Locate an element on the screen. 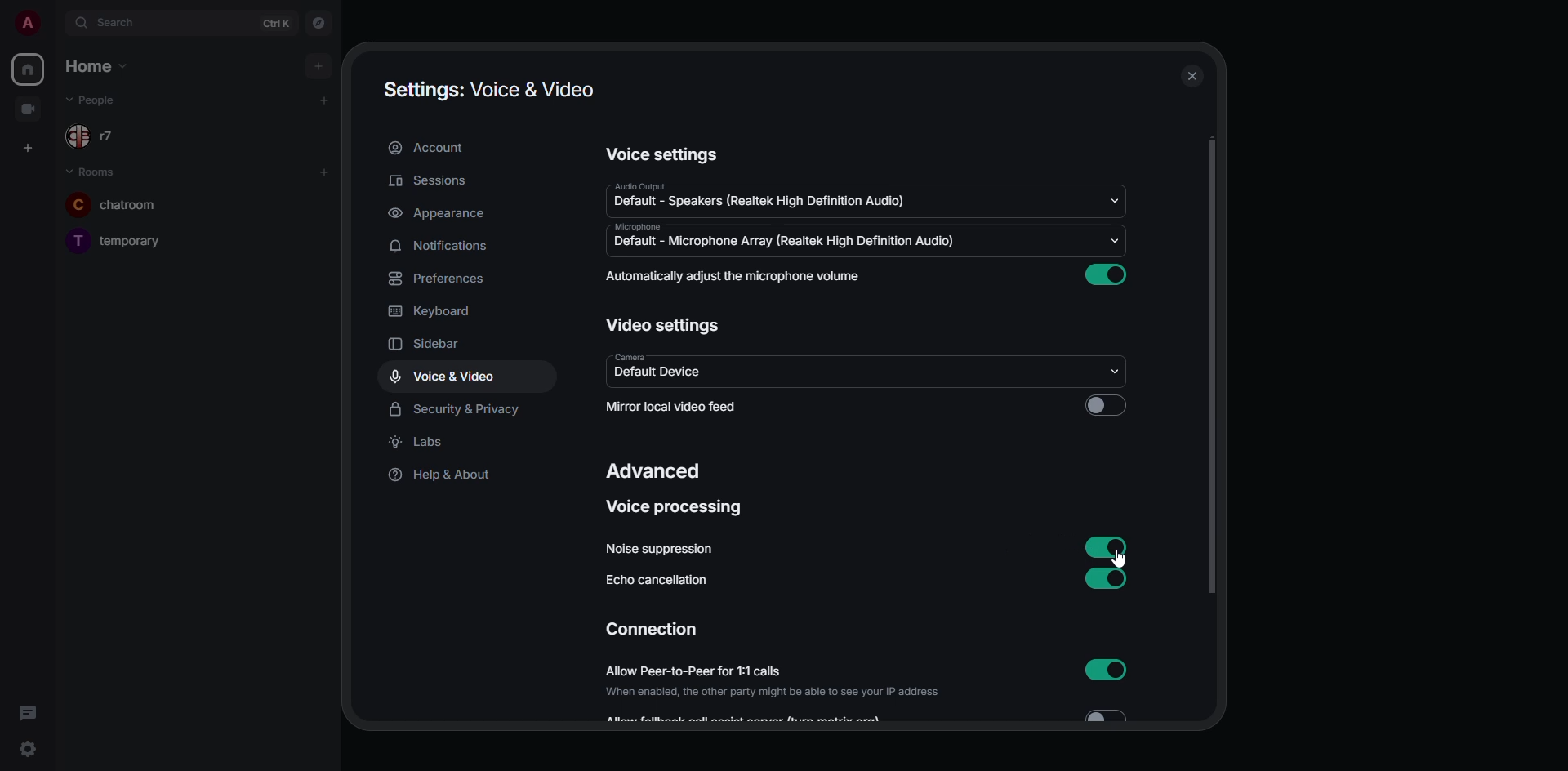 This screenshot has width=1568, height=771. enabled is located at coordinates (1110, 549).